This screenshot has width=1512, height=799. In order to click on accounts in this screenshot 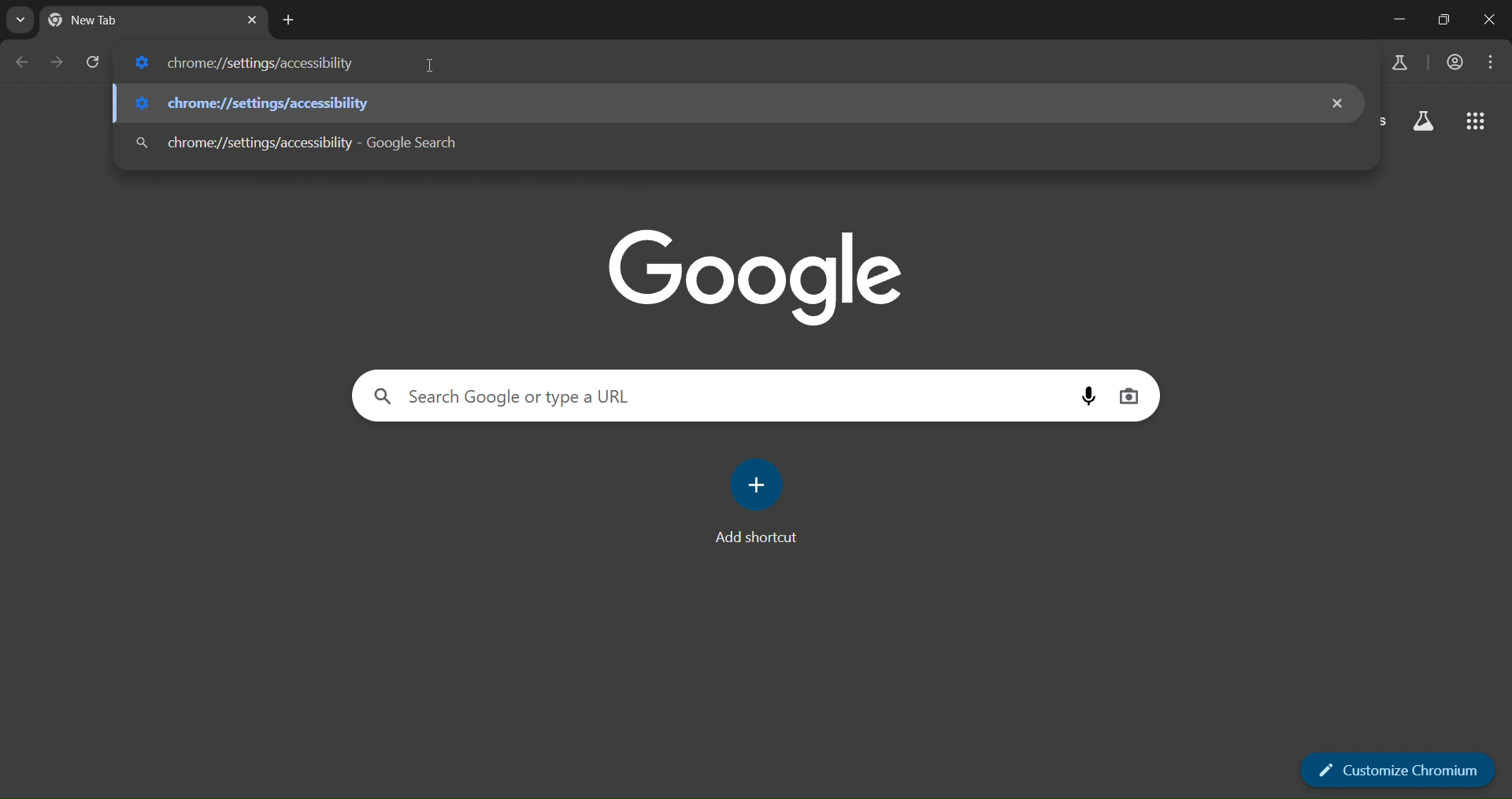, I will do `click(1451, 63)`.